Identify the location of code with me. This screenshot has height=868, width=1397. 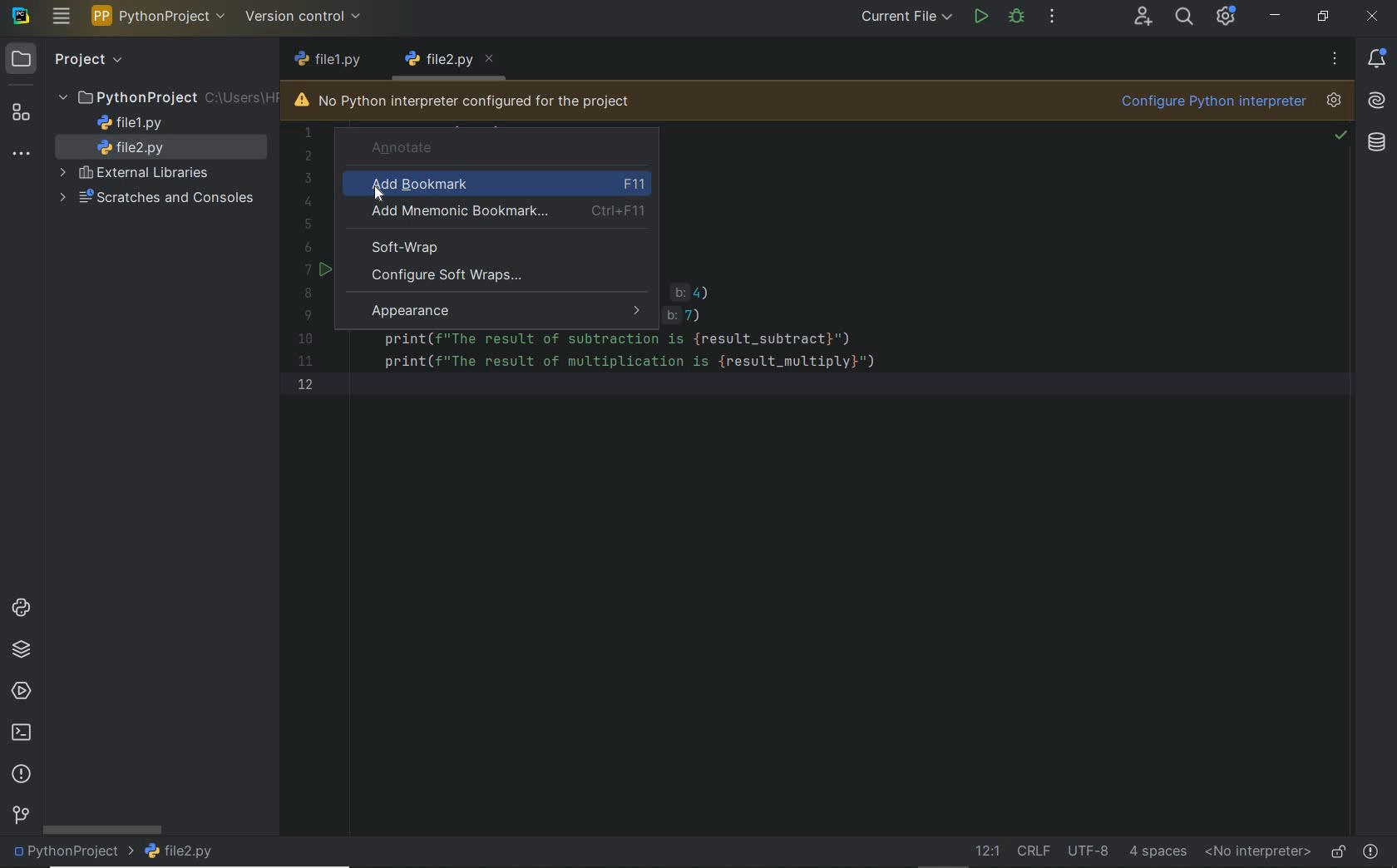
(1143, 18).